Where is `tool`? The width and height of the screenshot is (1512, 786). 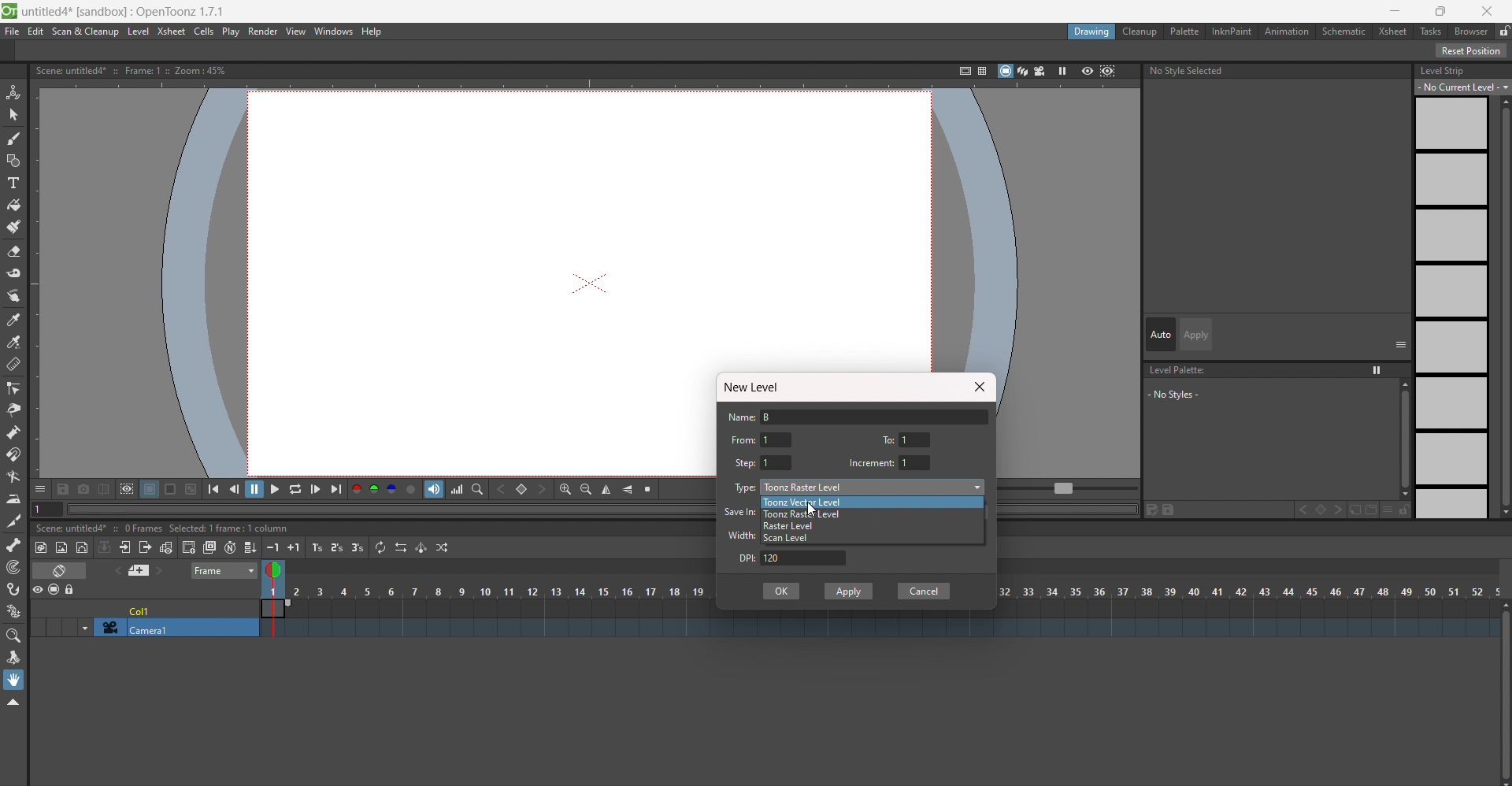 tool is located at coordinates (191, 488).